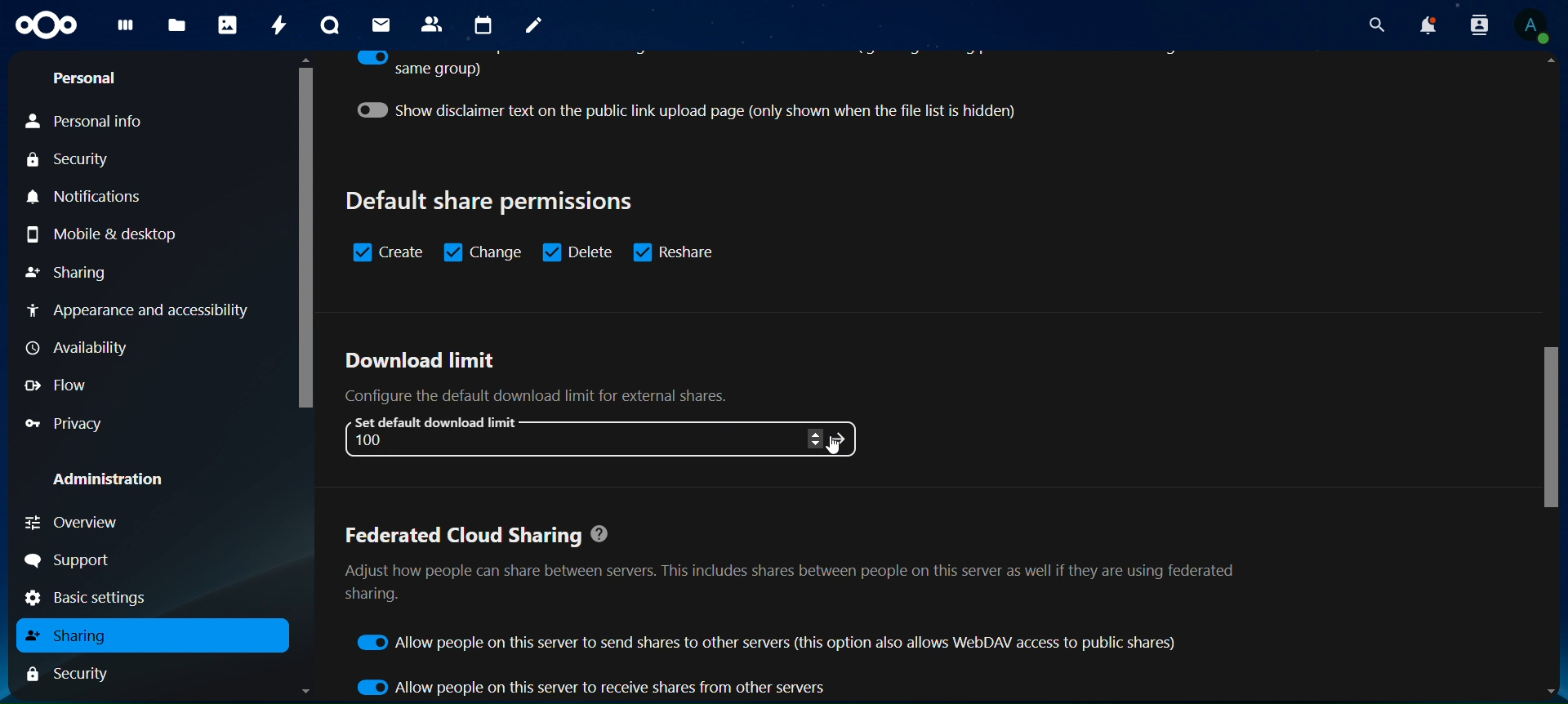 Image resolution: width=1568 pixels, height=704 pixels. Describe the element at coordinates (69, 421) in the screenshot. I see `privacy` at that location.